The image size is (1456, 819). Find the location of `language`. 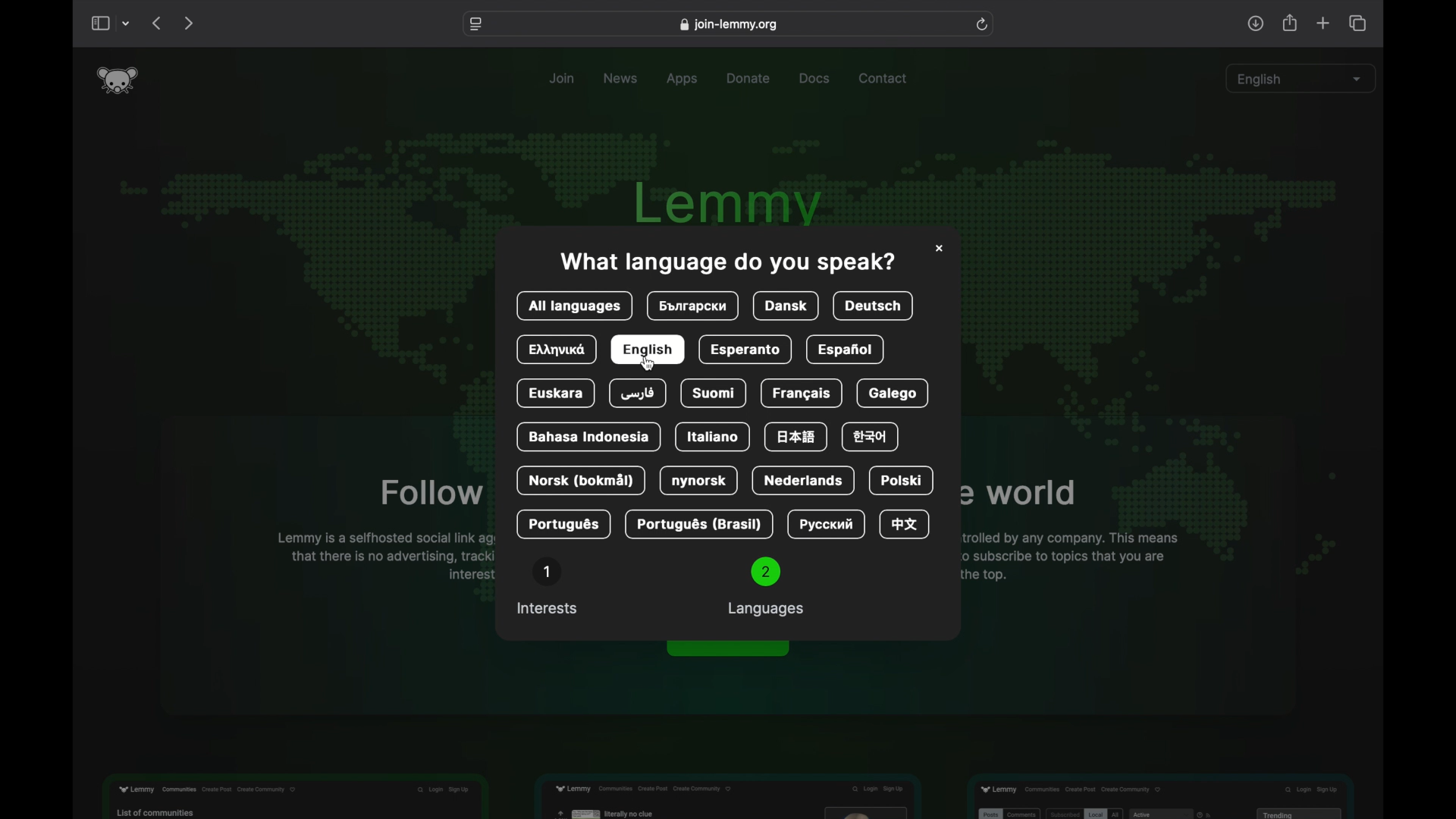

language is located at coordinates (906, 524).